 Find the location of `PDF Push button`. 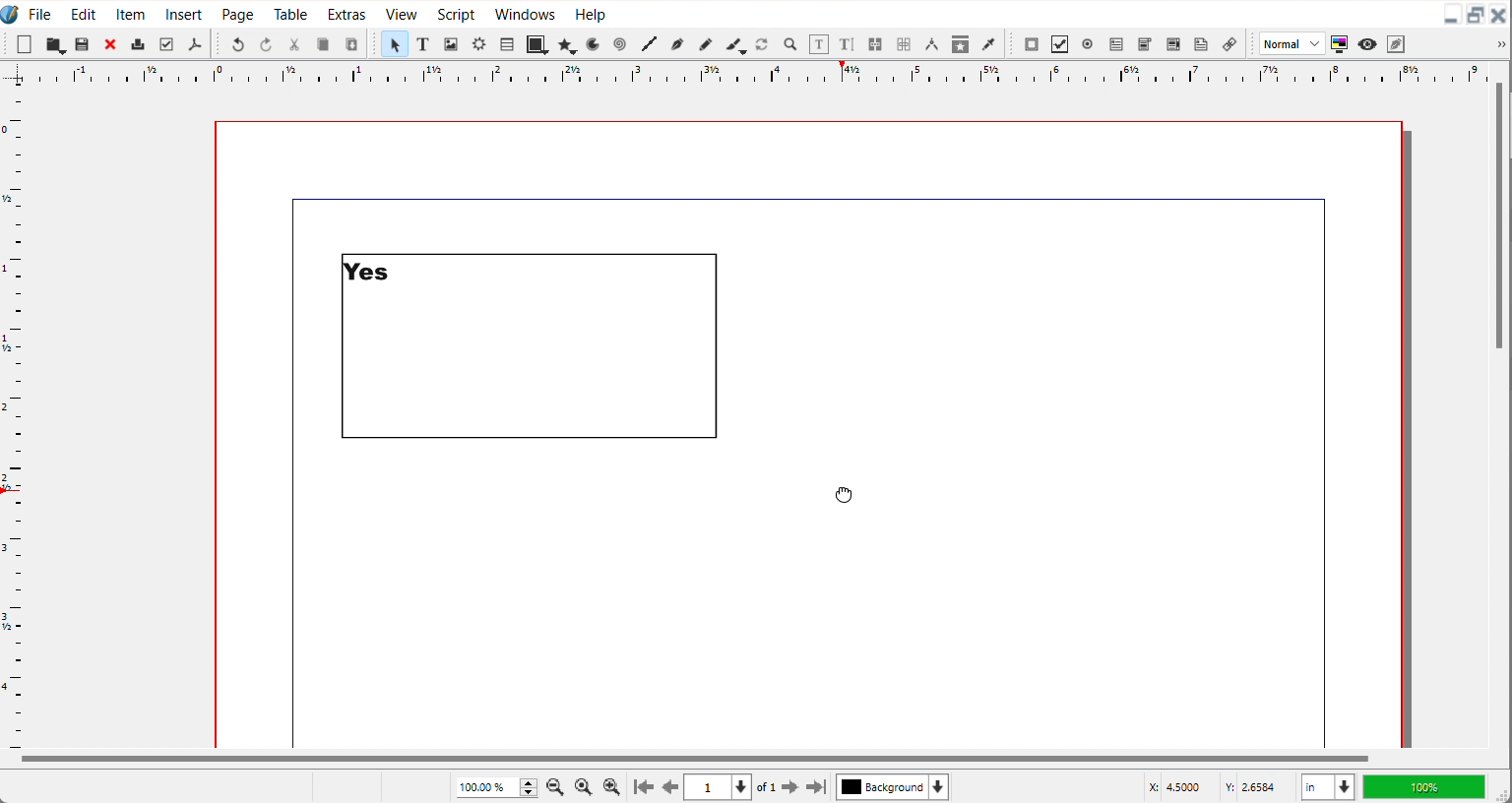

PDF Push button is located at coordinates (1032, 43).